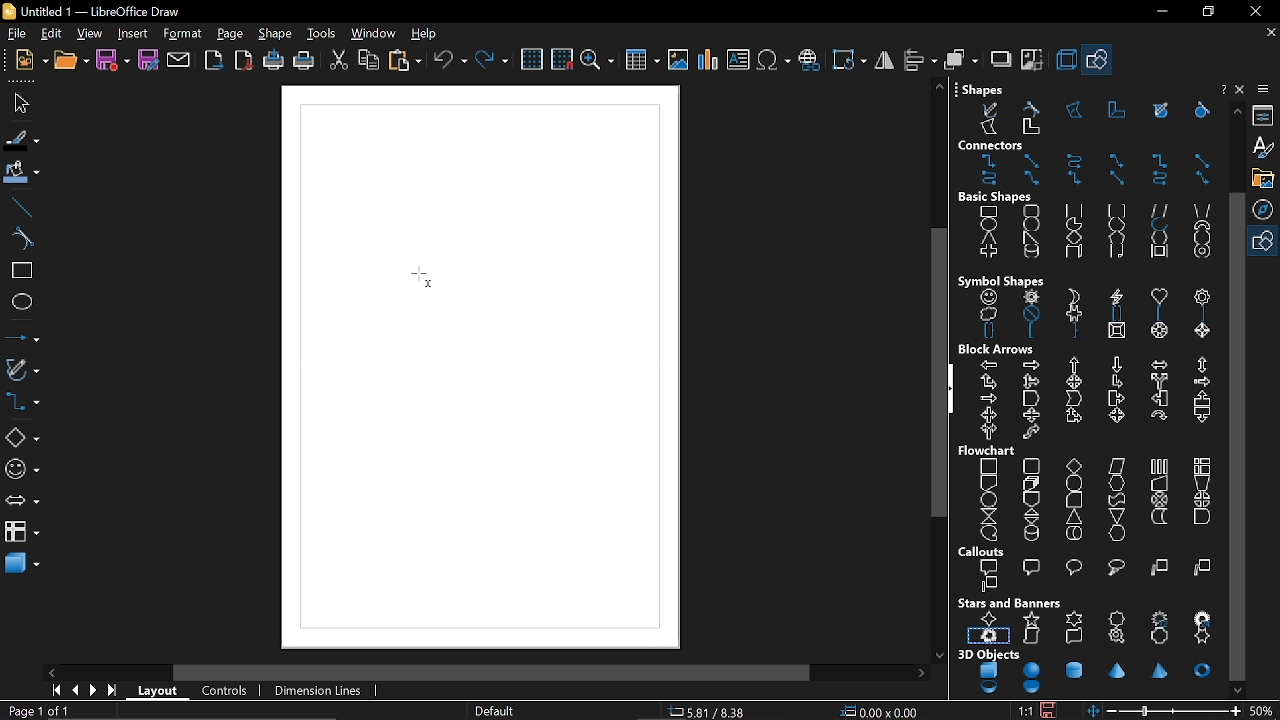 This screenshot has height=720, width=1280. Describe the element at coordinates (1234, 111) in the screenshot. I see `move up` at that location.